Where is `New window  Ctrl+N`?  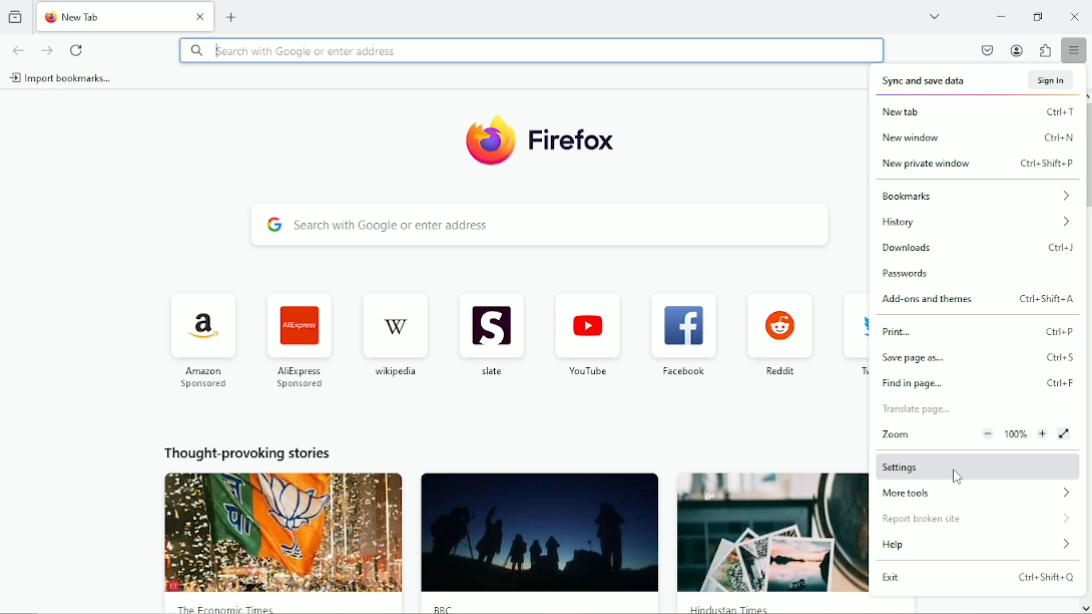
New window  Ctrl+N is located at coordinates (976, 137).